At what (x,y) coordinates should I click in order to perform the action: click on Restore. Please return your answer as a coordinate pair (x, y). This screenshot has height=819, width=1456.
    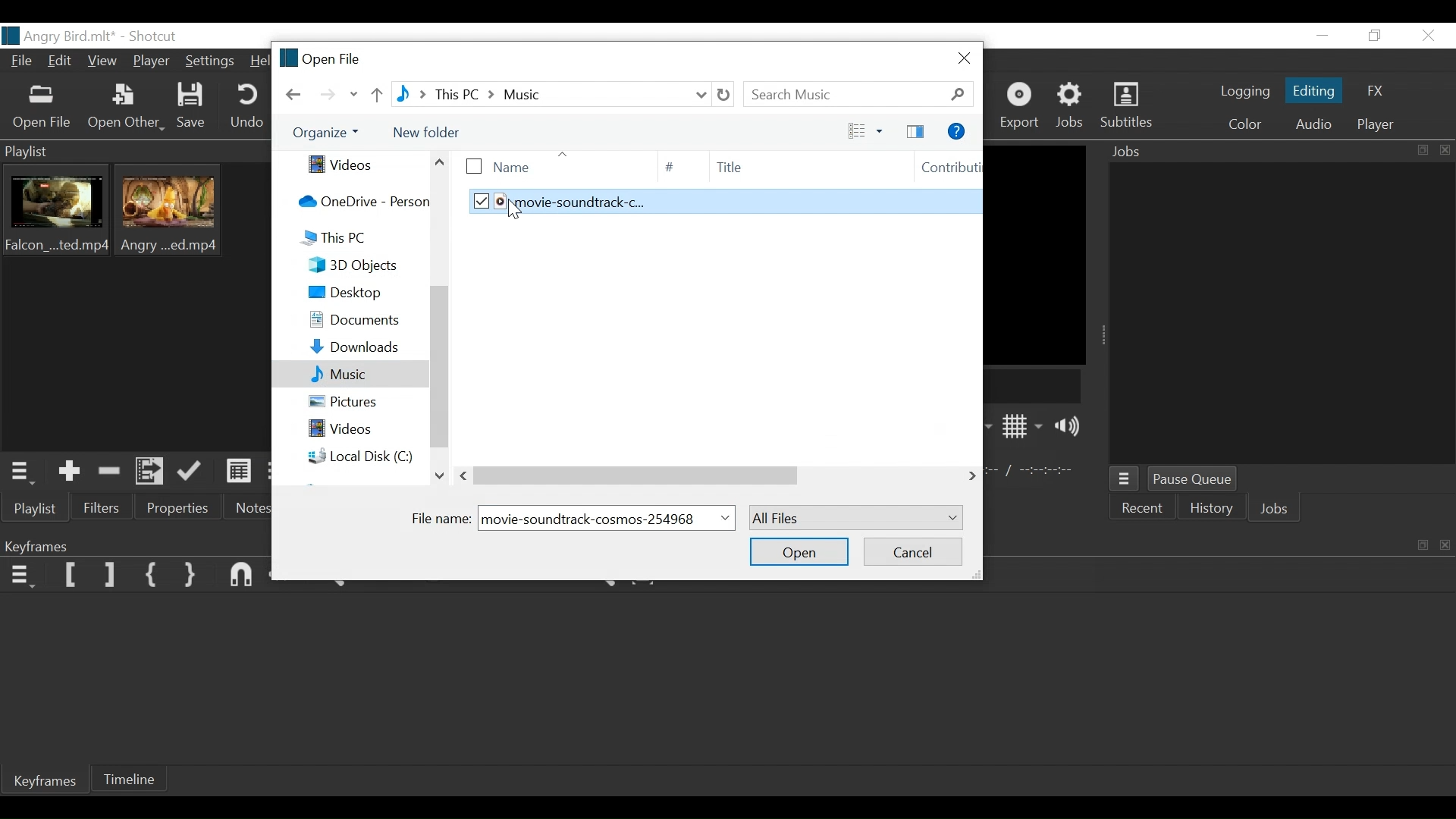
    Looking at the image, I should click on (1378, 36).